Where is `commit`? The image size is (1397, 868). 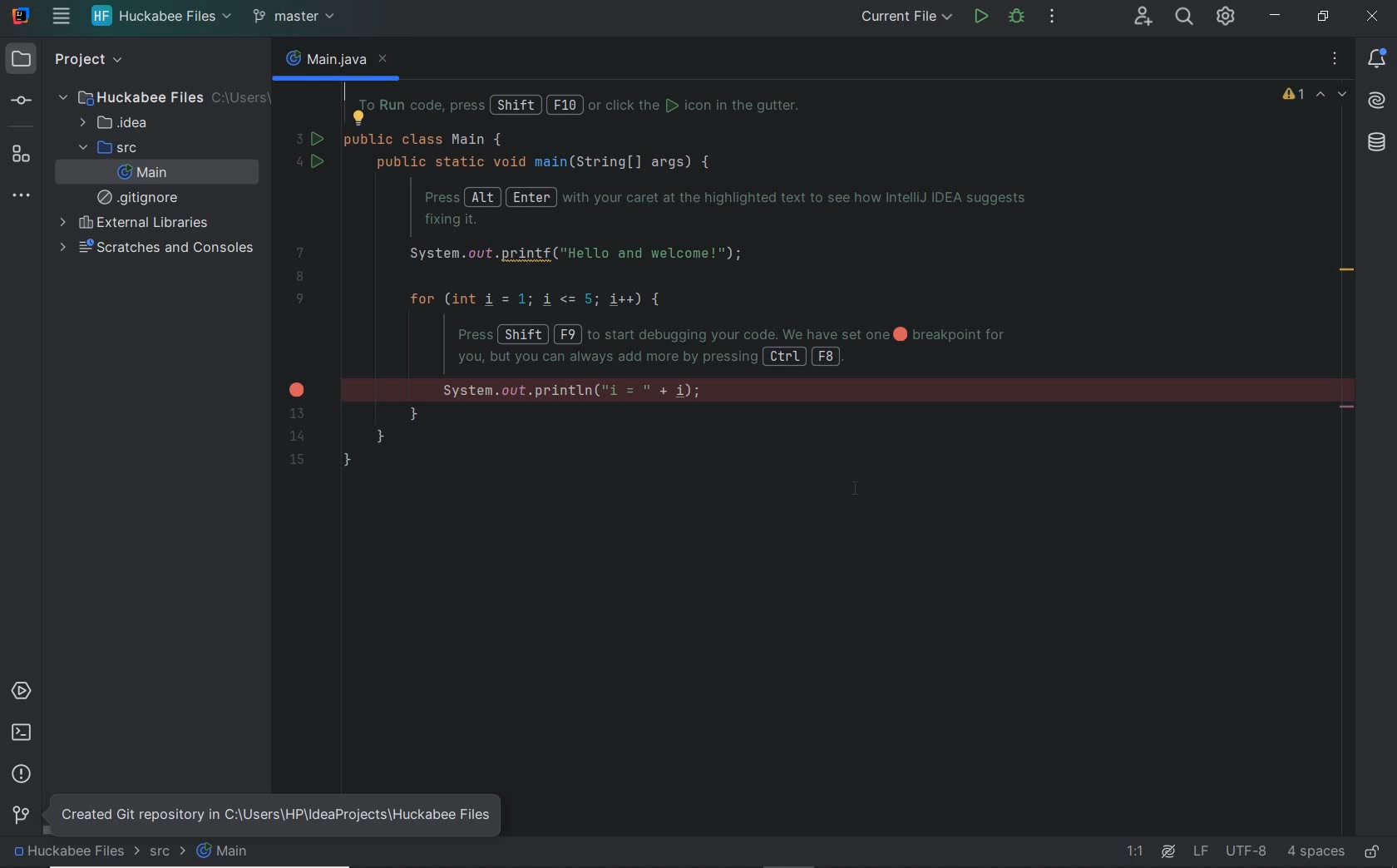 commit is located at coordinates (20, 101).